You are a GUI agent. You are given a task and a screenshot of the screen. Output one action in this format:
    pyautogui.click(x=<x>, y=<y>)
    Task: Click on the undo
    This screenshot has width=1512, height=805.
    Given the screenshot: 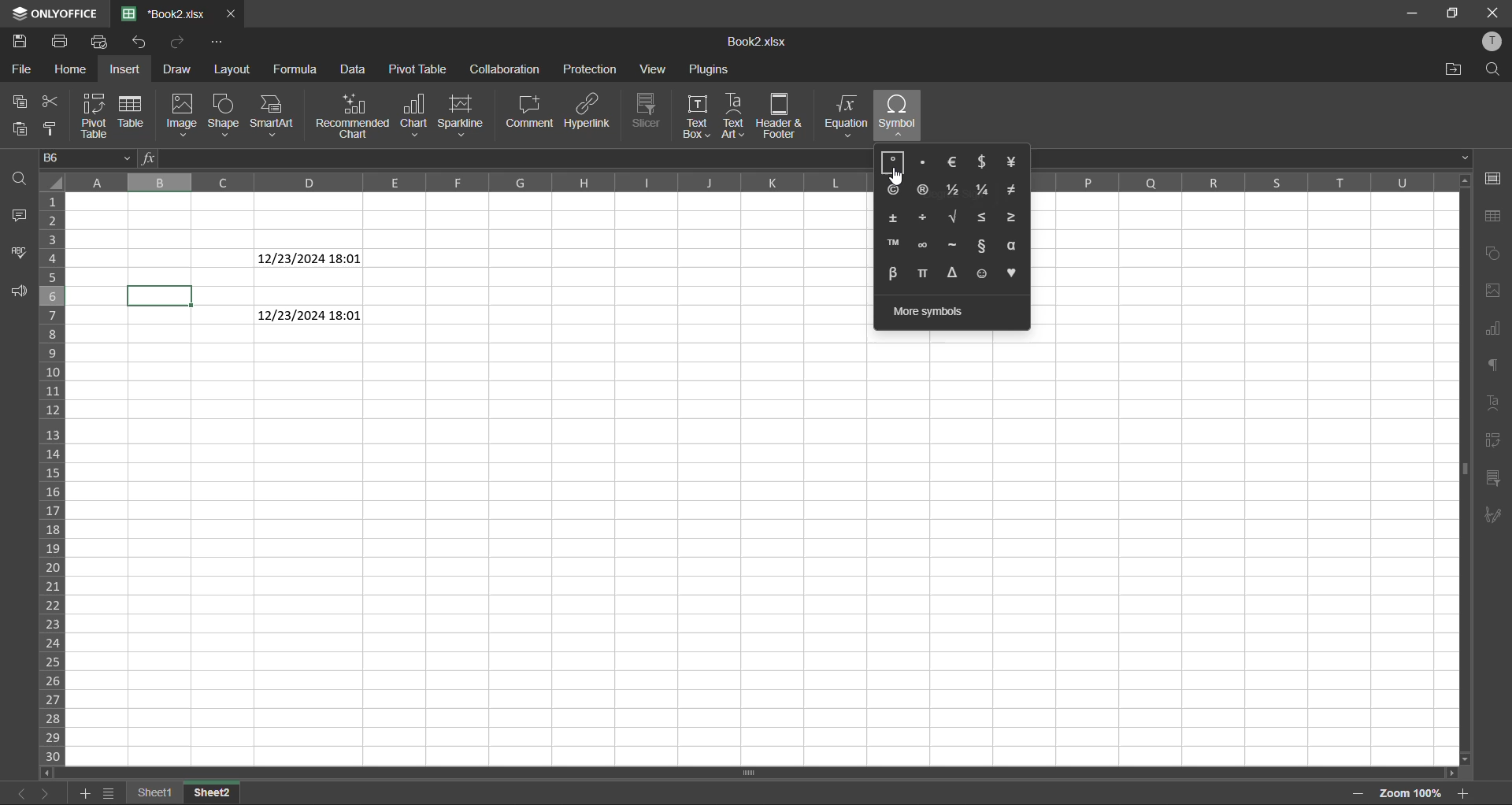 What is the action you would take?
    pyautogui.click(x=177, y=43)
    